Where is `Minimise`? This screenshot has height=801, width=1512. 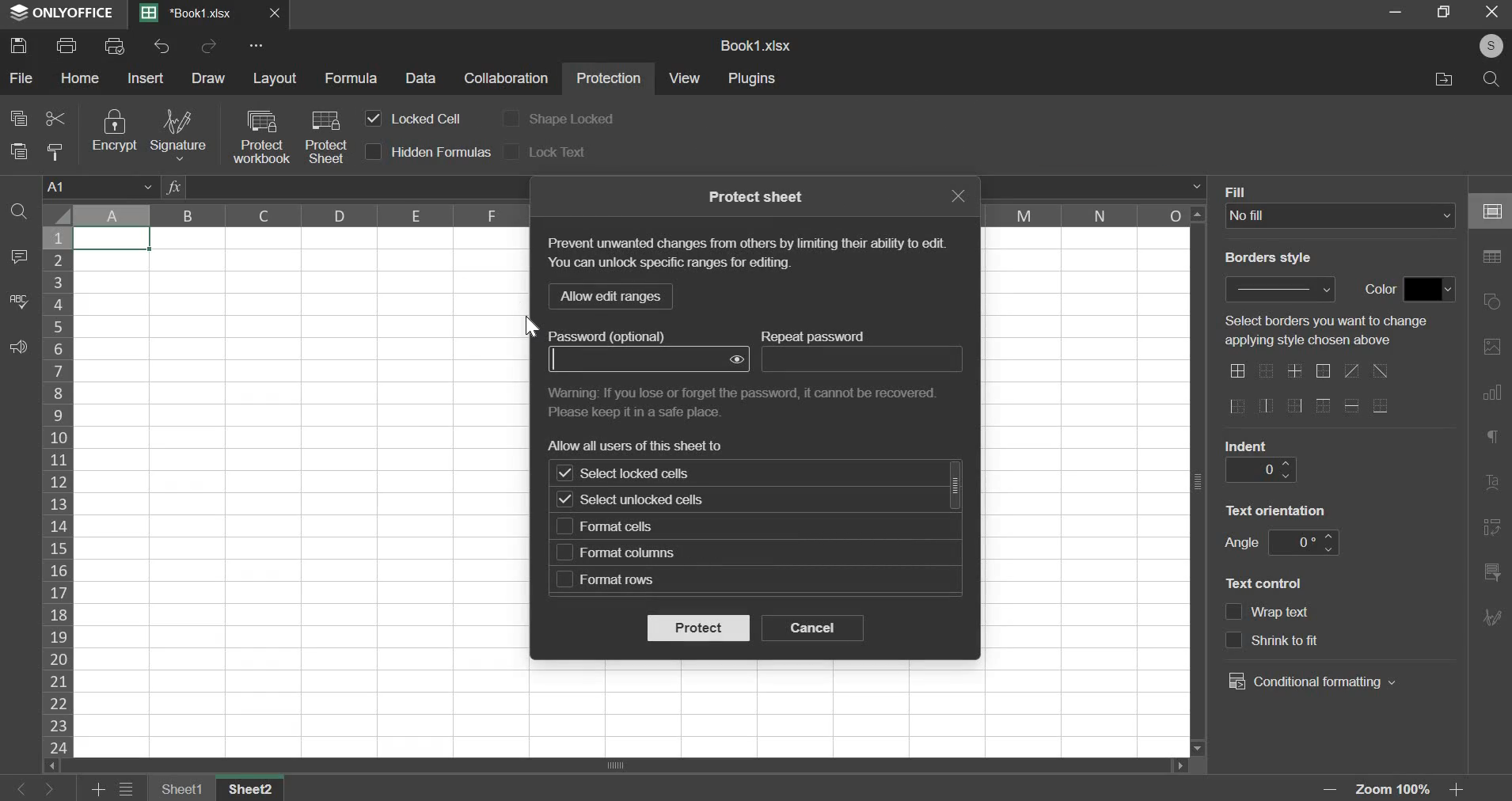
Minimise is located at coordinates (1445, 11).